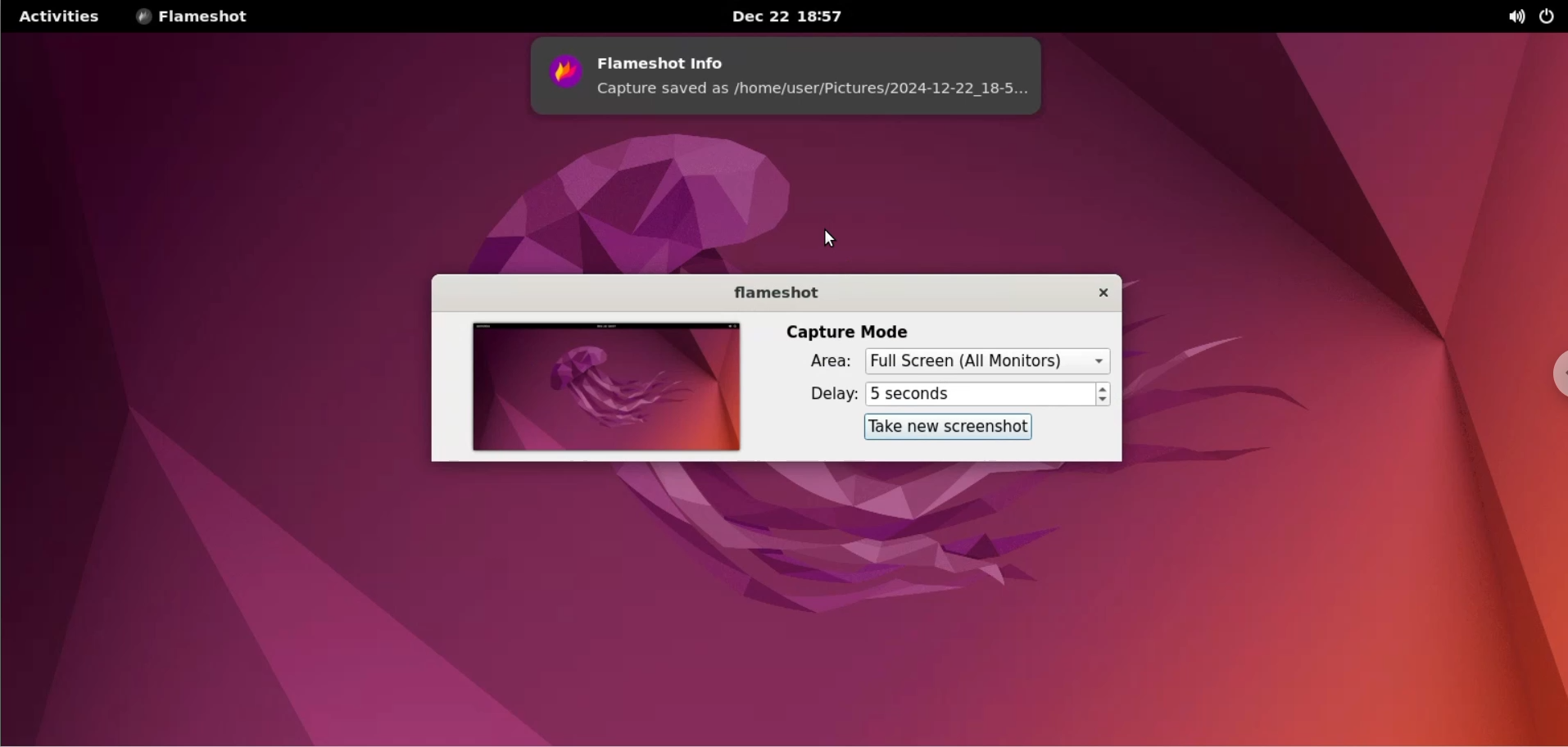  What do you see at coordinates (819, 394) in the screenshot?
I see `delay:` at bounding box center [819, 394].